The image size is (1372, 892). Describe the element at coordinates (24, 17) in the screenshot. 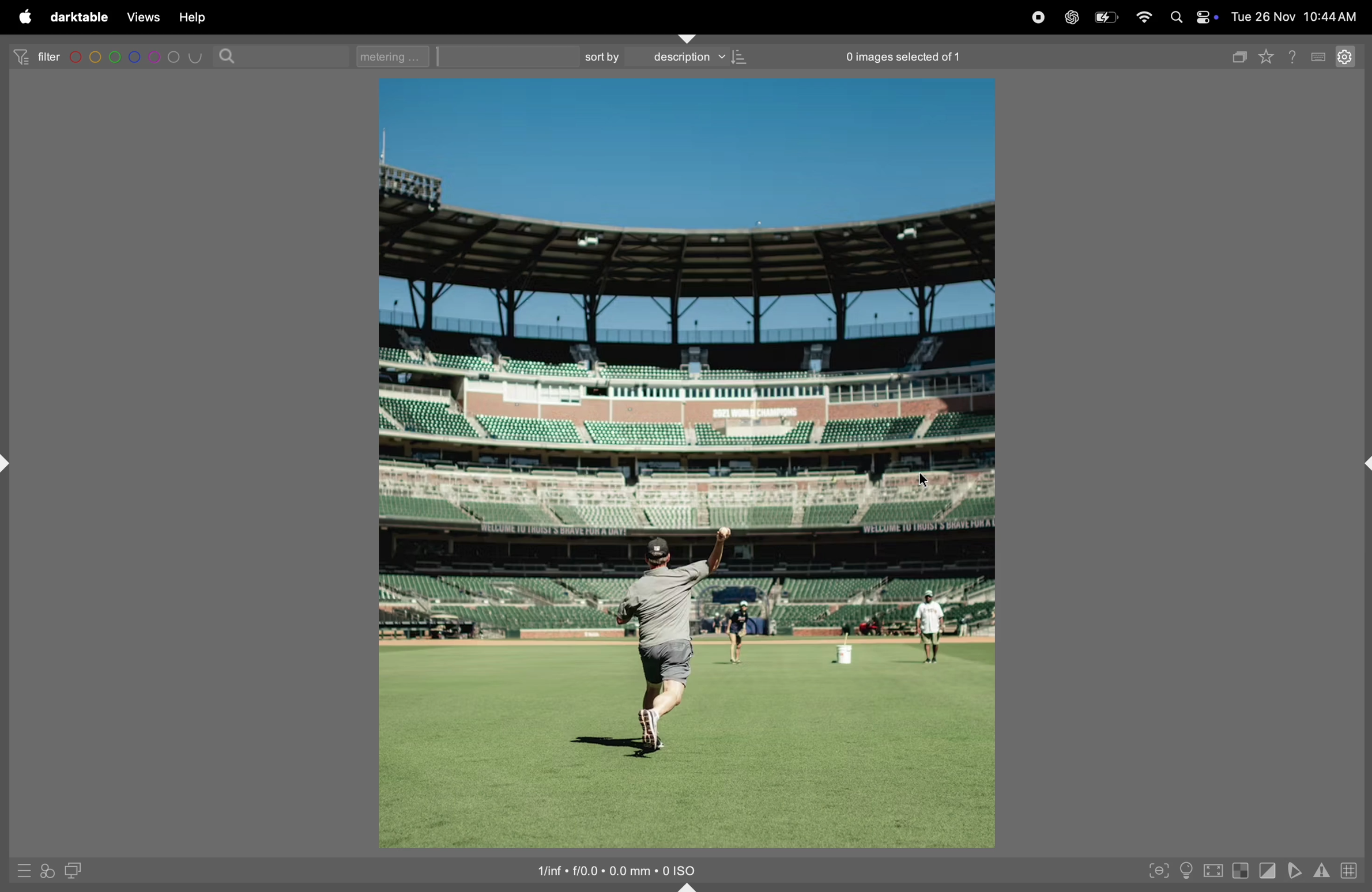

I see `apple menu` at that location.